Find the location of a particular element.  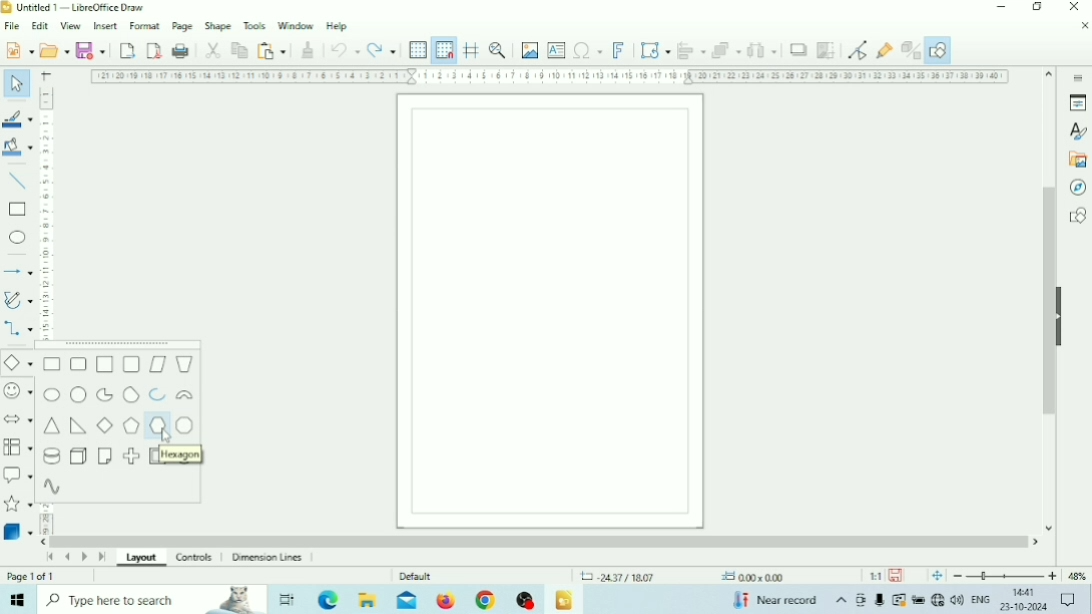

Cylinder is located at coordinates (50, 456).